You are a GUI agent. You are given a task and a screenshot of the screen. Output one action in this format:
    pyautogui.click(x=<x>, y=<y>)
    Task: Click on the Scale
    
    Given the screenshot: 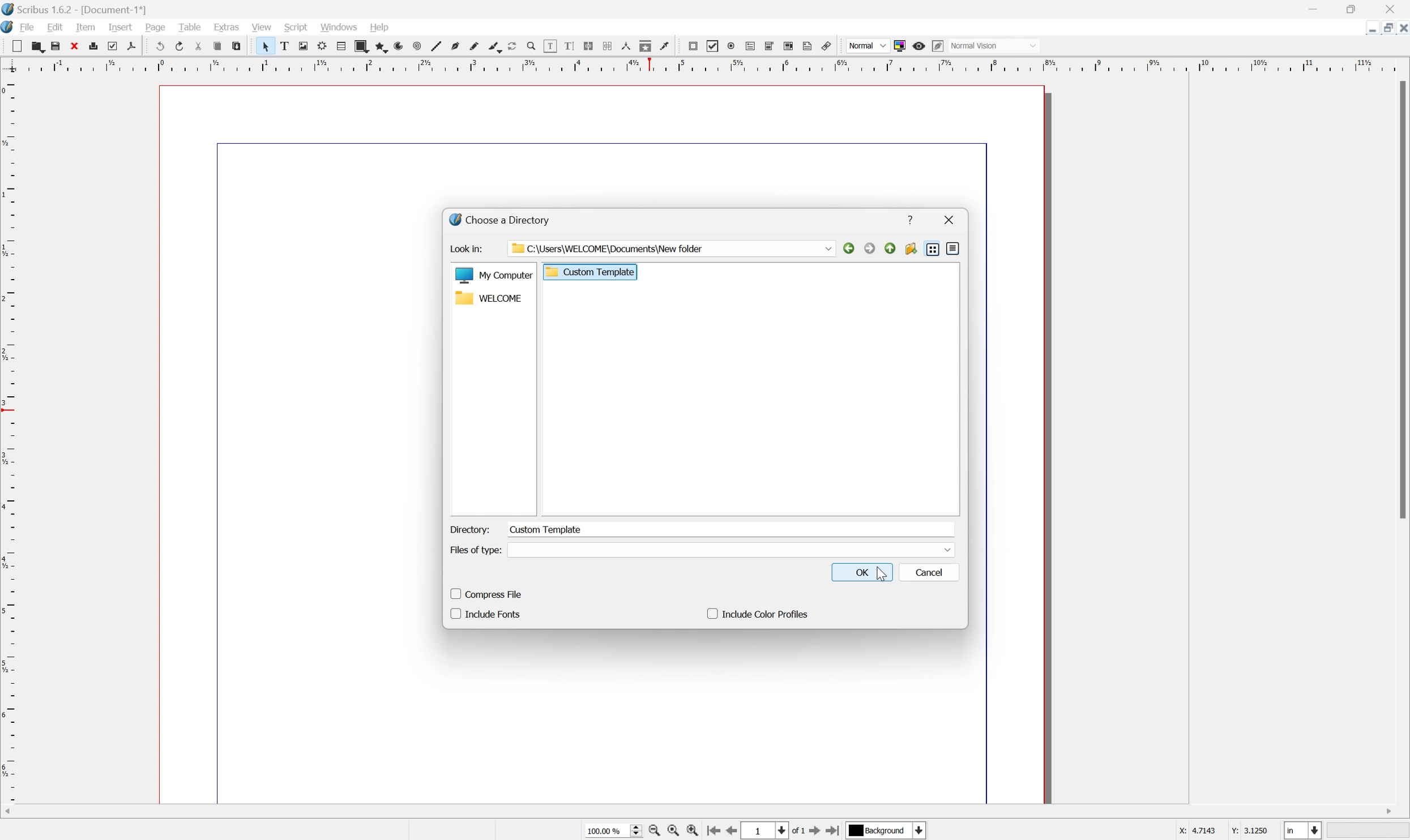 What is the action you would take?
    pyautogui.click(x=10, y=439)
    